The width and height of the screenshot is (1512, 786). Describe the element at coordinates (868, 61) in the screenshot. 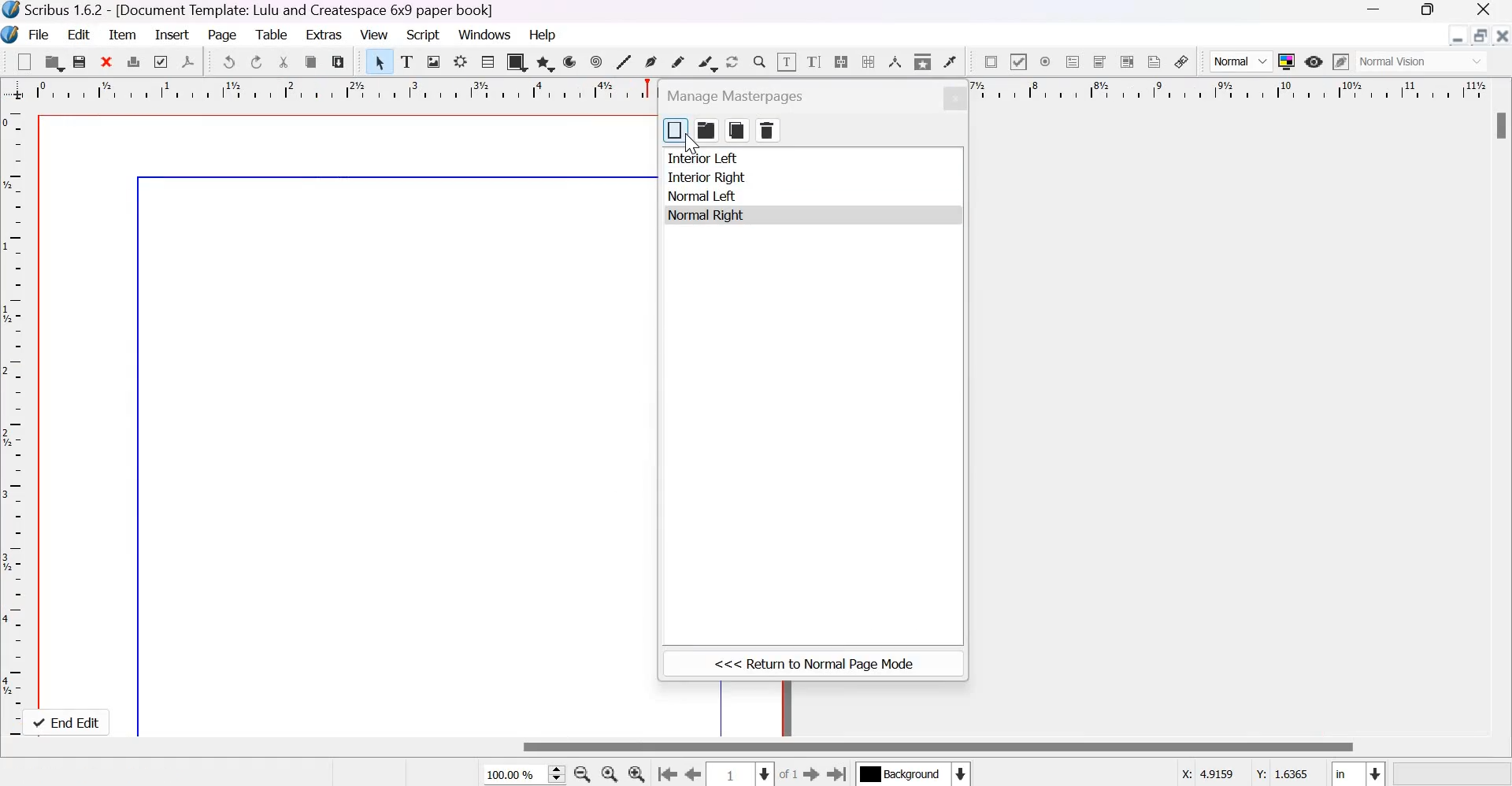

I see `Unlink text frames` at that location.